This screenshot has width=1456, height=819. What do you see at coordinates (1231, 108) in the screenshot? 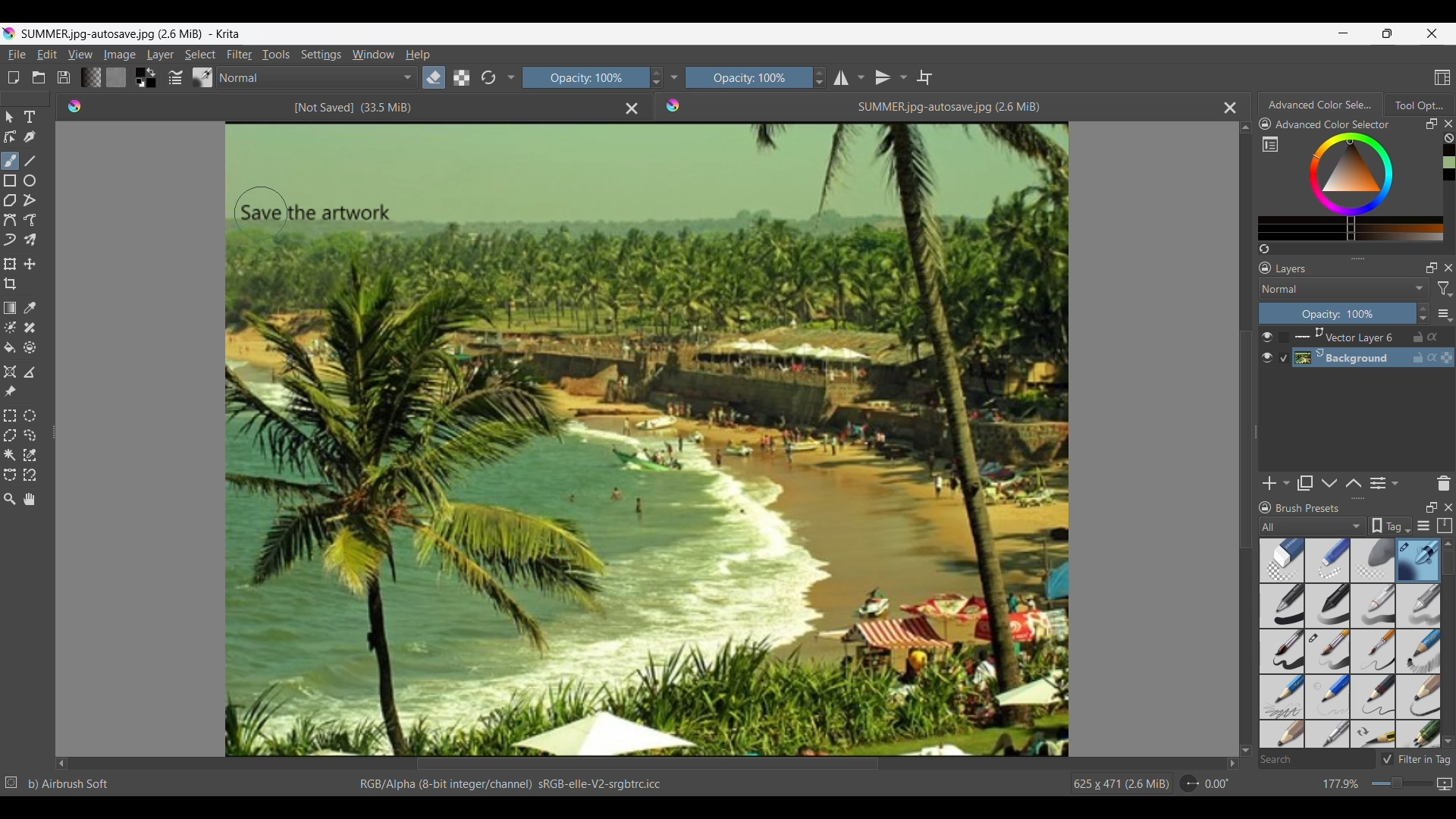
I see `Close current file` at bounding box center [1231, 108].